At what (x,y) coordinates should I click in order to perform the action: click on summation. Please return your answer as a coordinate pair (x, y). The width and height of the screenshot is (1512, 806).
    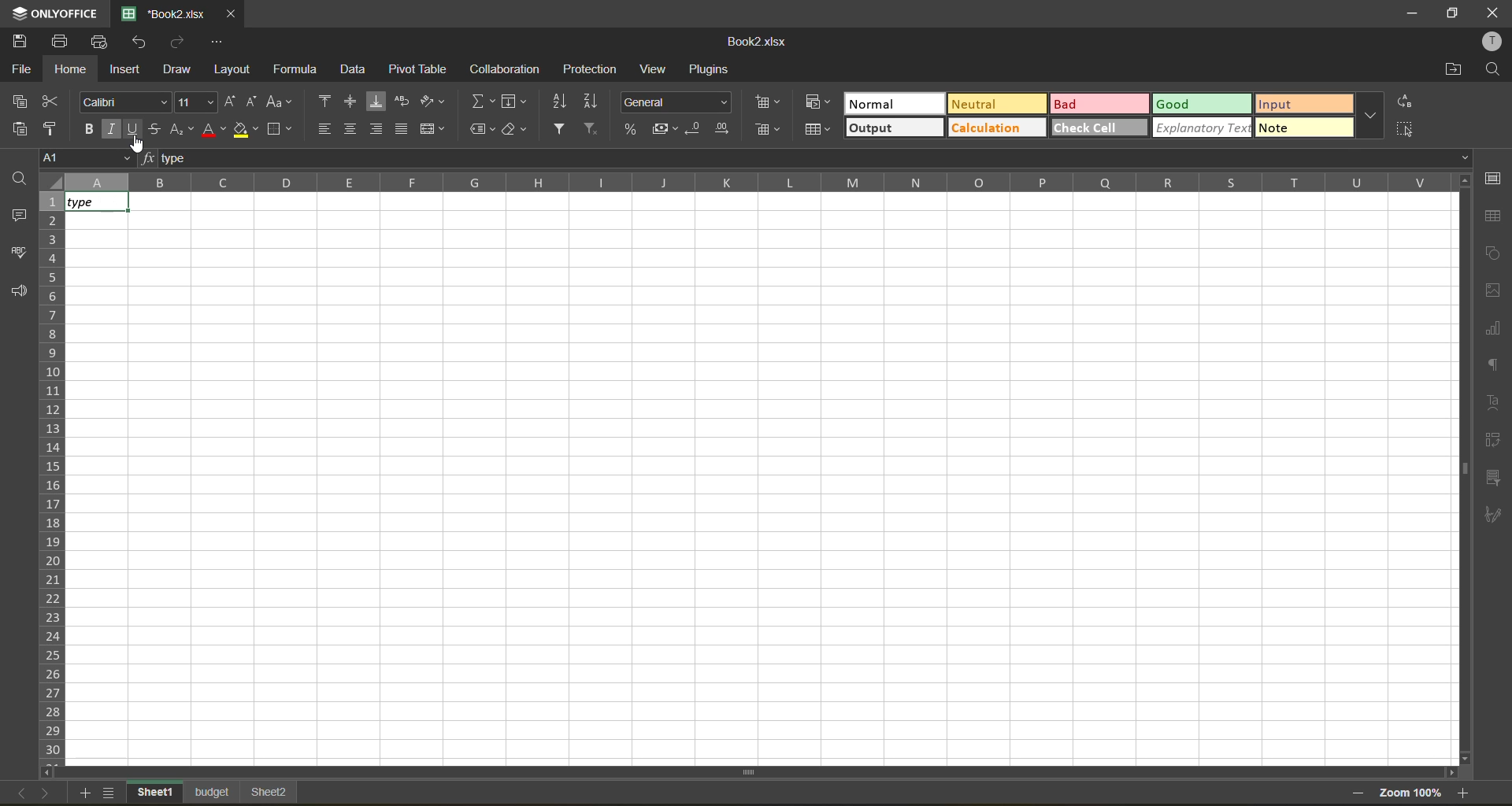
    Looking at the image, I should click on (478, 102).